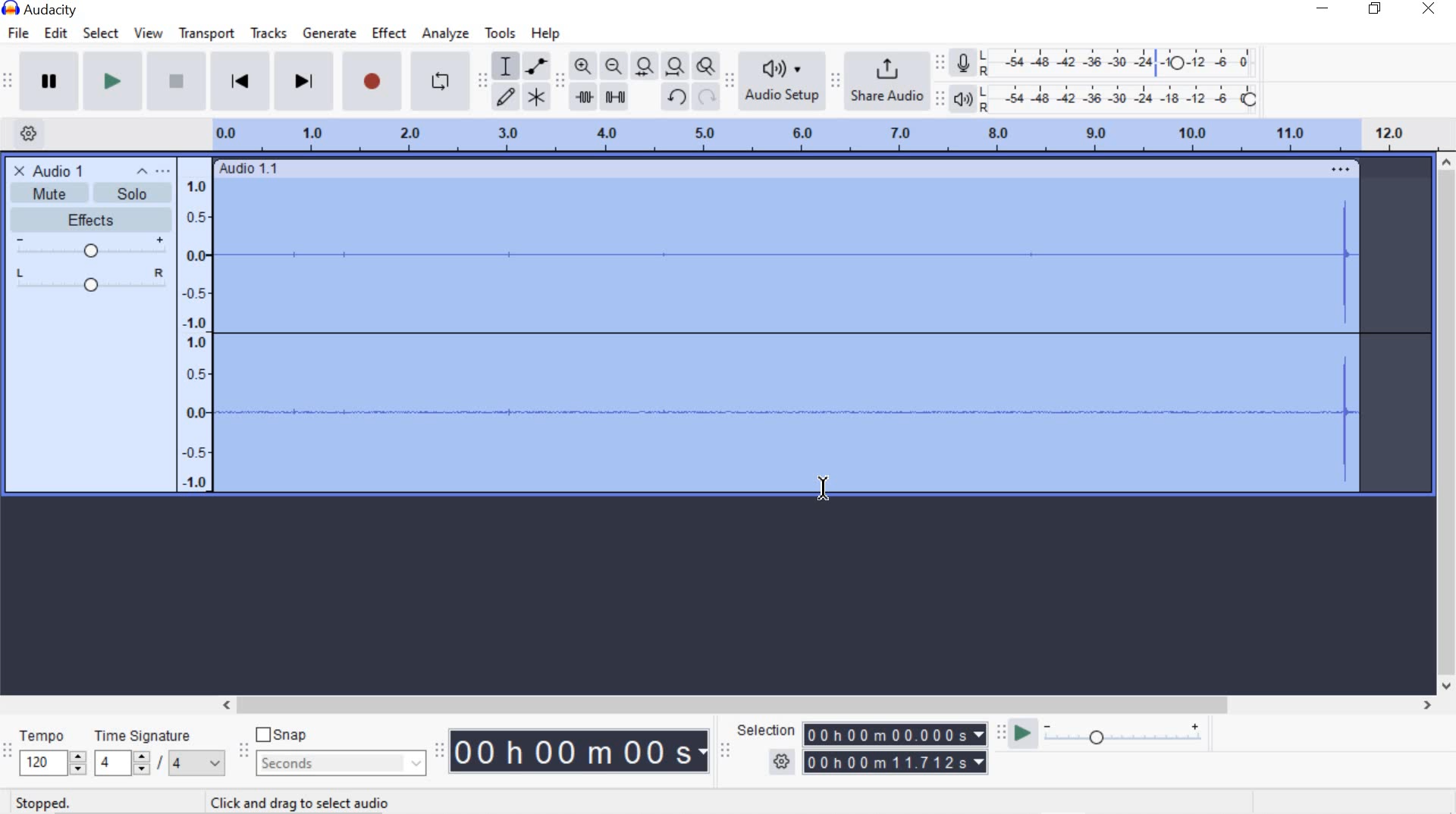 This screenshot has height=814, width=1456. I want to click on edit, so click(55, 33).